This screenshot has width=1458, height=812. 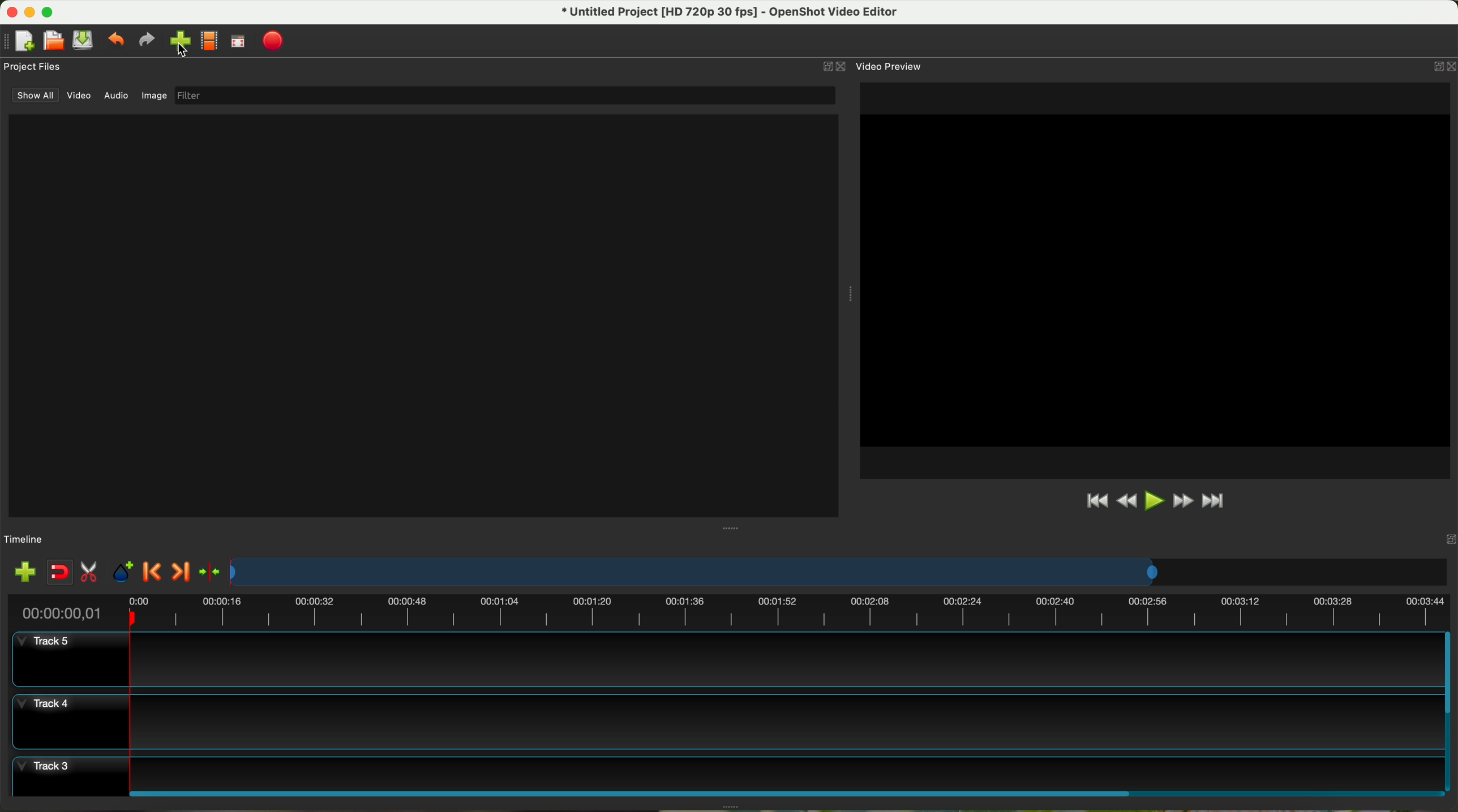 I want to click on timeline, so click(x=727, y=610).